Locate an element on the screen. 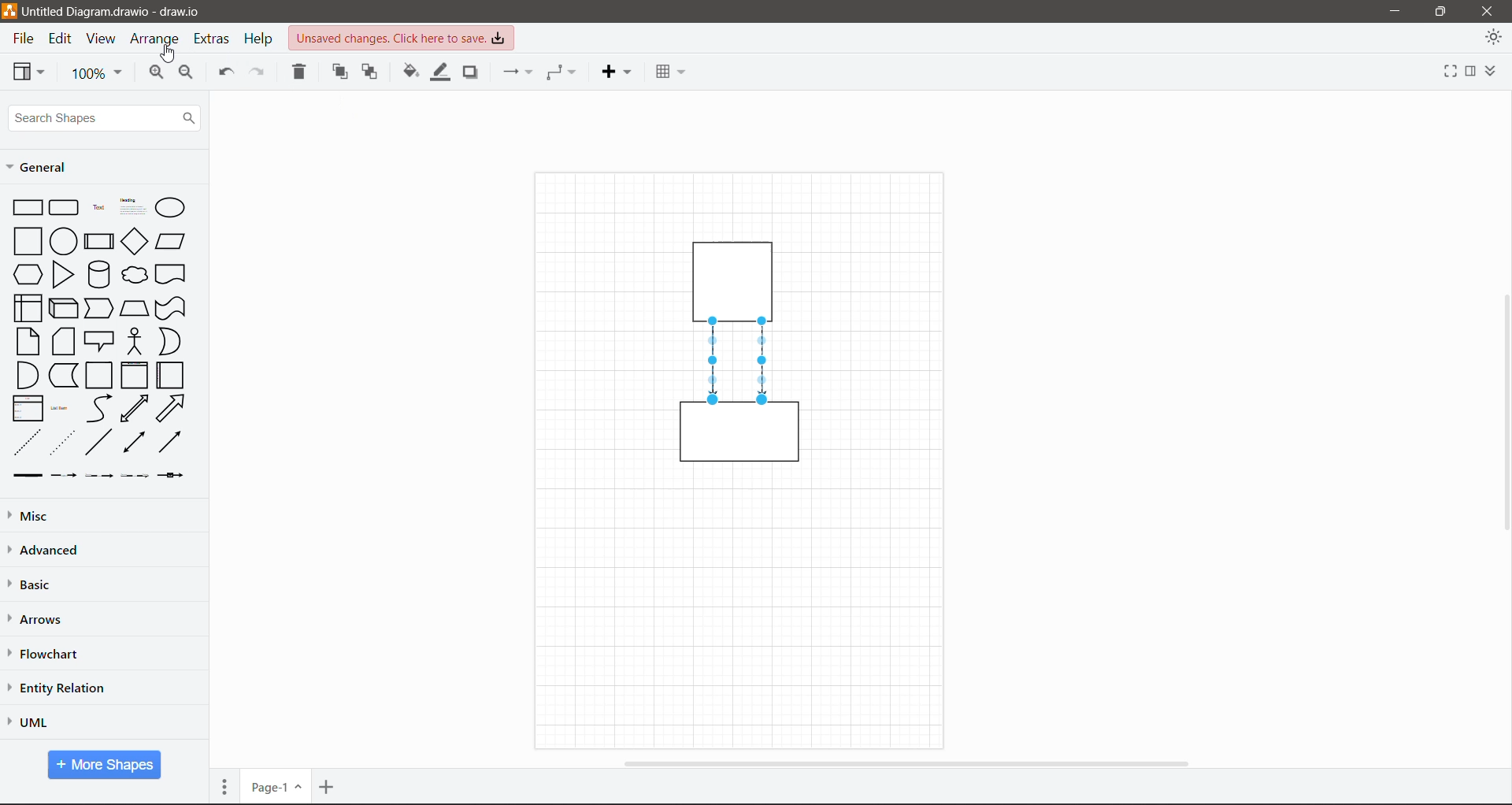  Directional Connector is located at coordinates (714, 362).